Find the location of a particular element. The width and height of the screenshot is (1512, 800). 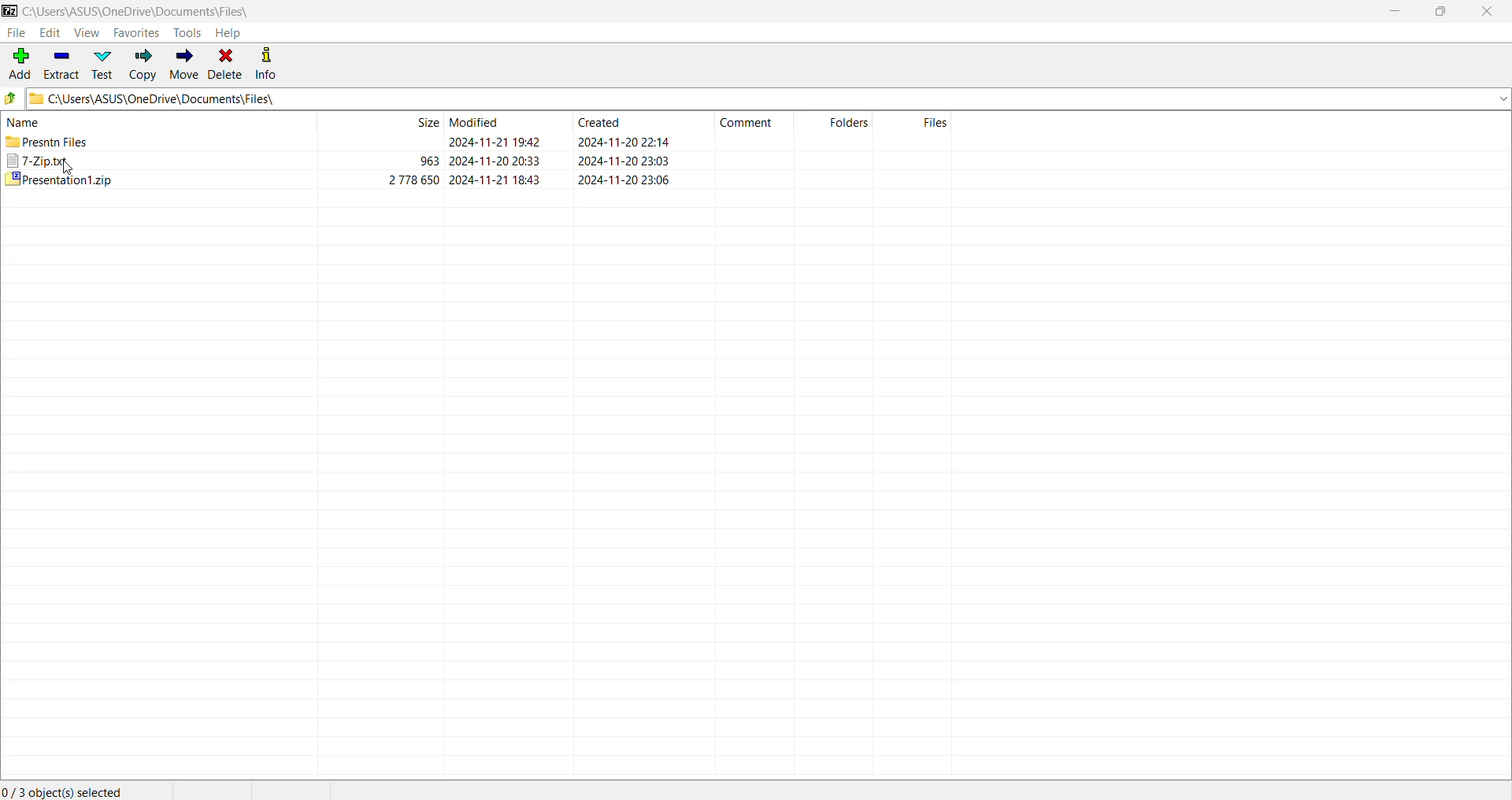

File is located at coordinates (17, 34).